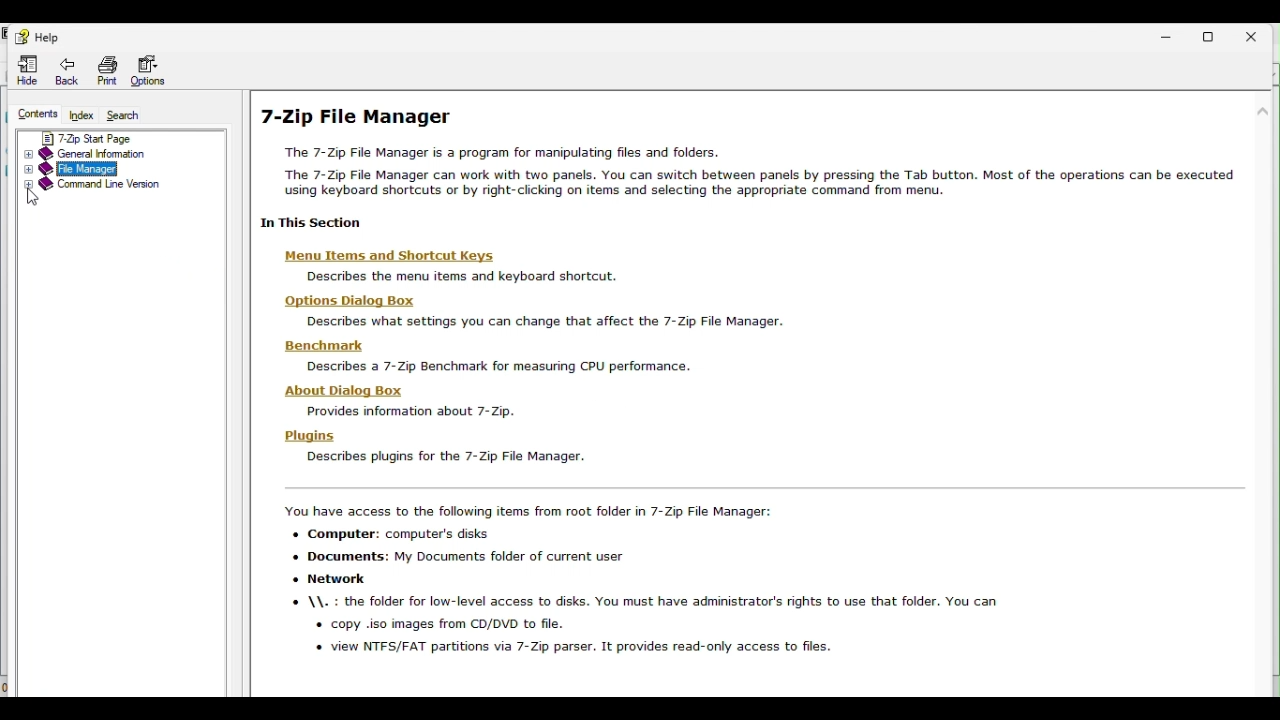  I want to click on Hide, so click(29, 70).